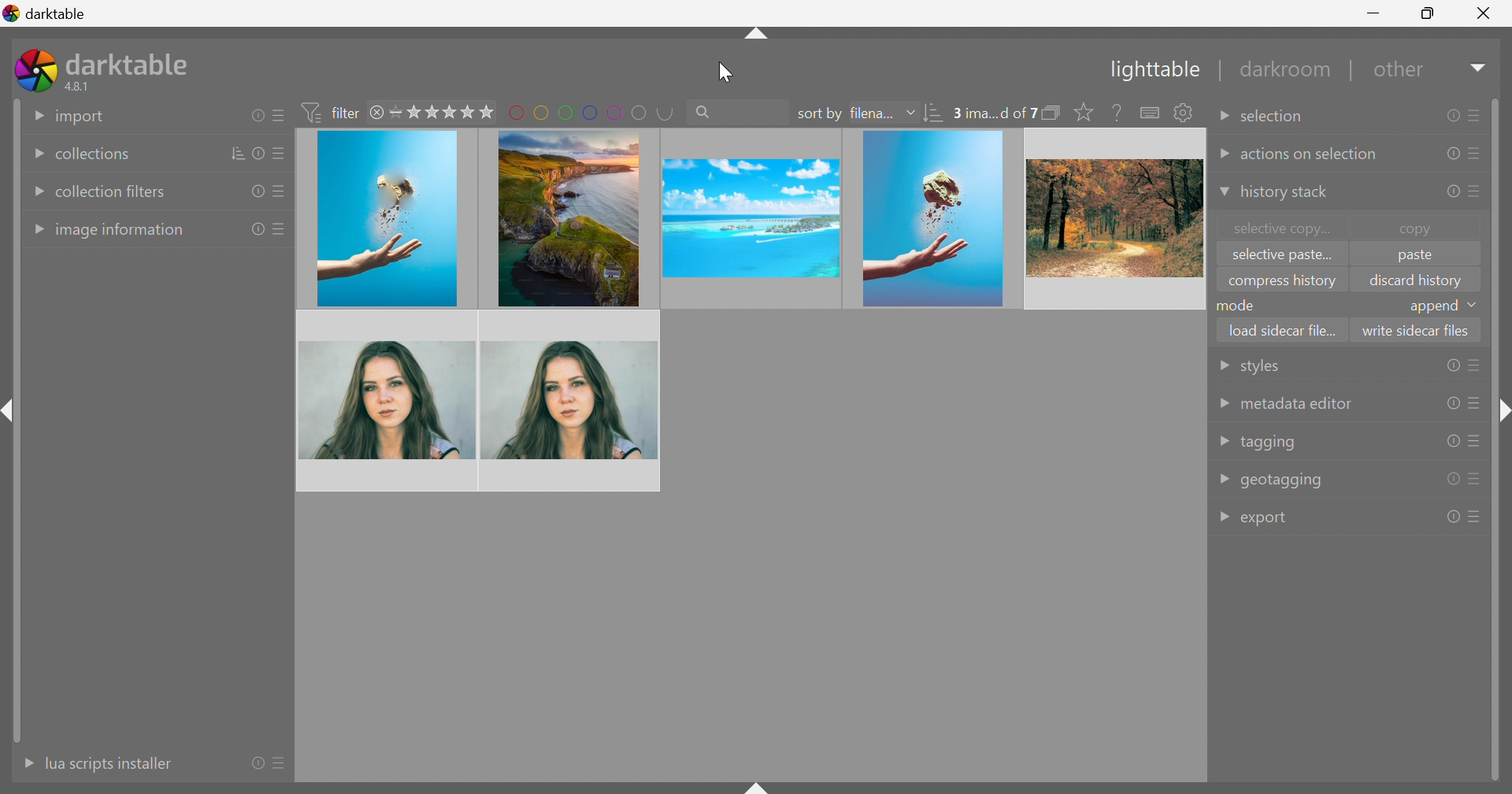 The height and width of the screenshot is (794, 1512). Describe the element at coordinates (1451, 365) in the screenshot. I see `reset` at that location.